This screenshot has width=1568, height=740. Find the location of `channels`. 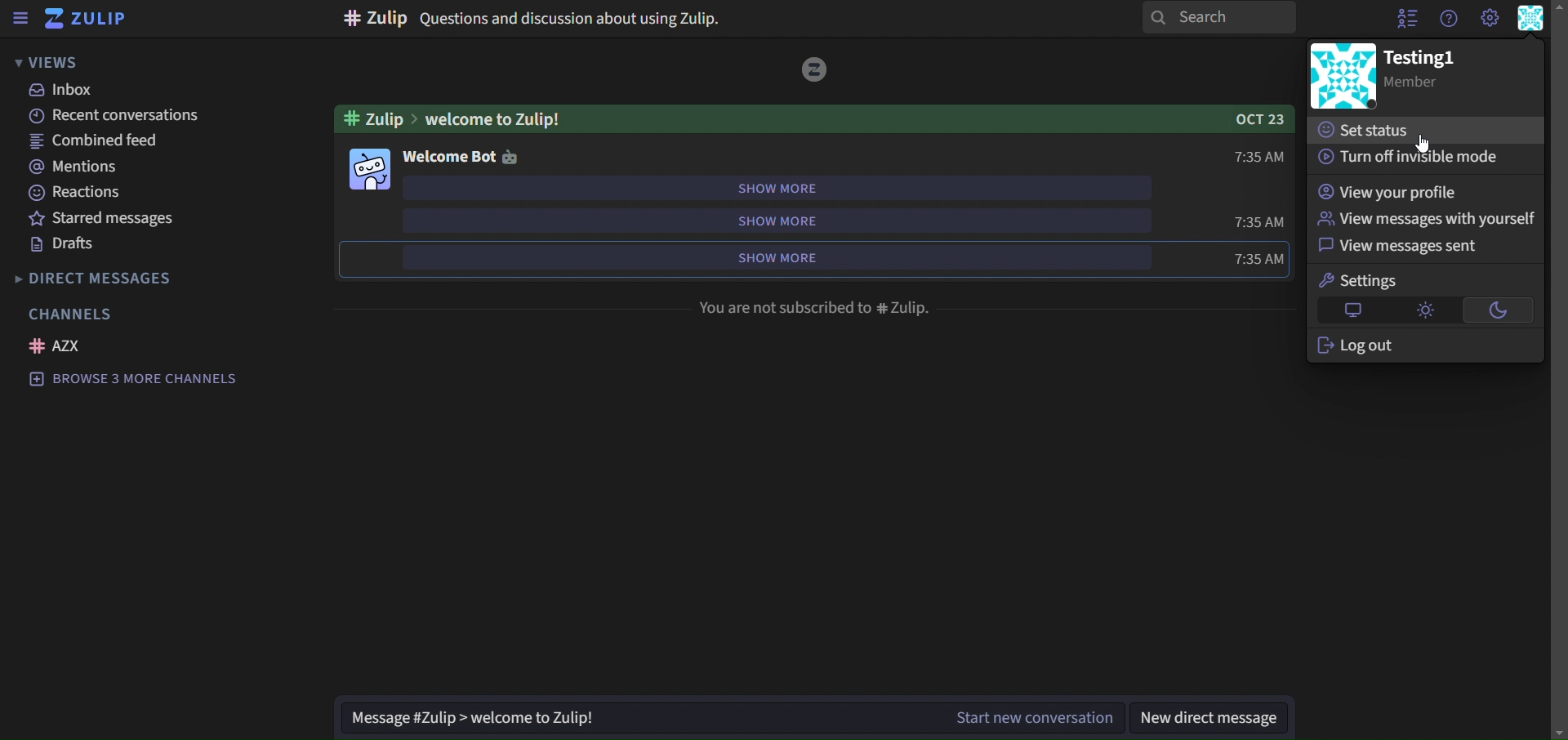

channels is located at coordinates (74, 314).